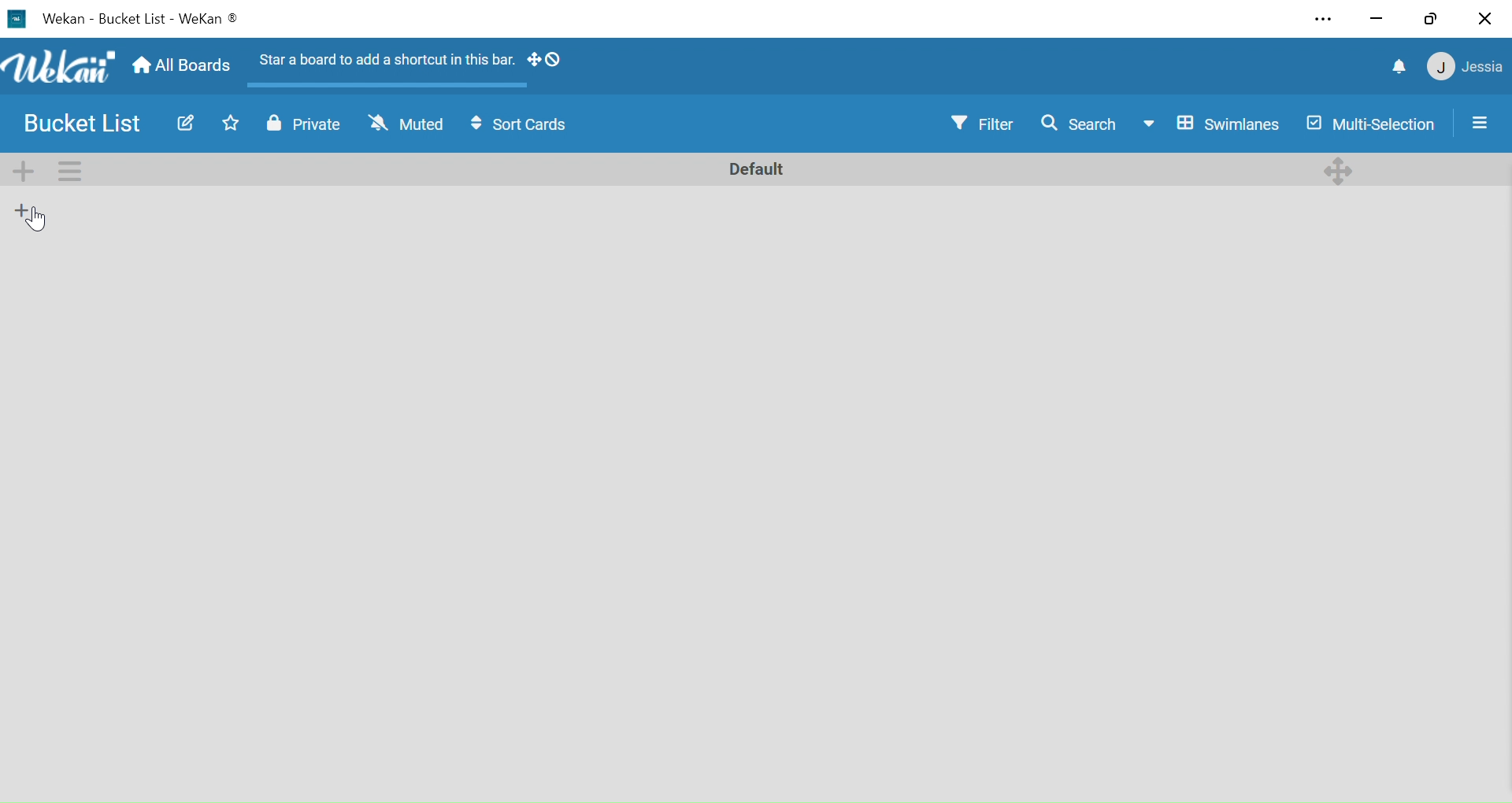  Describe the element at coordinates (180, 67) in the screenshot. I see `All board- Home` at that location.